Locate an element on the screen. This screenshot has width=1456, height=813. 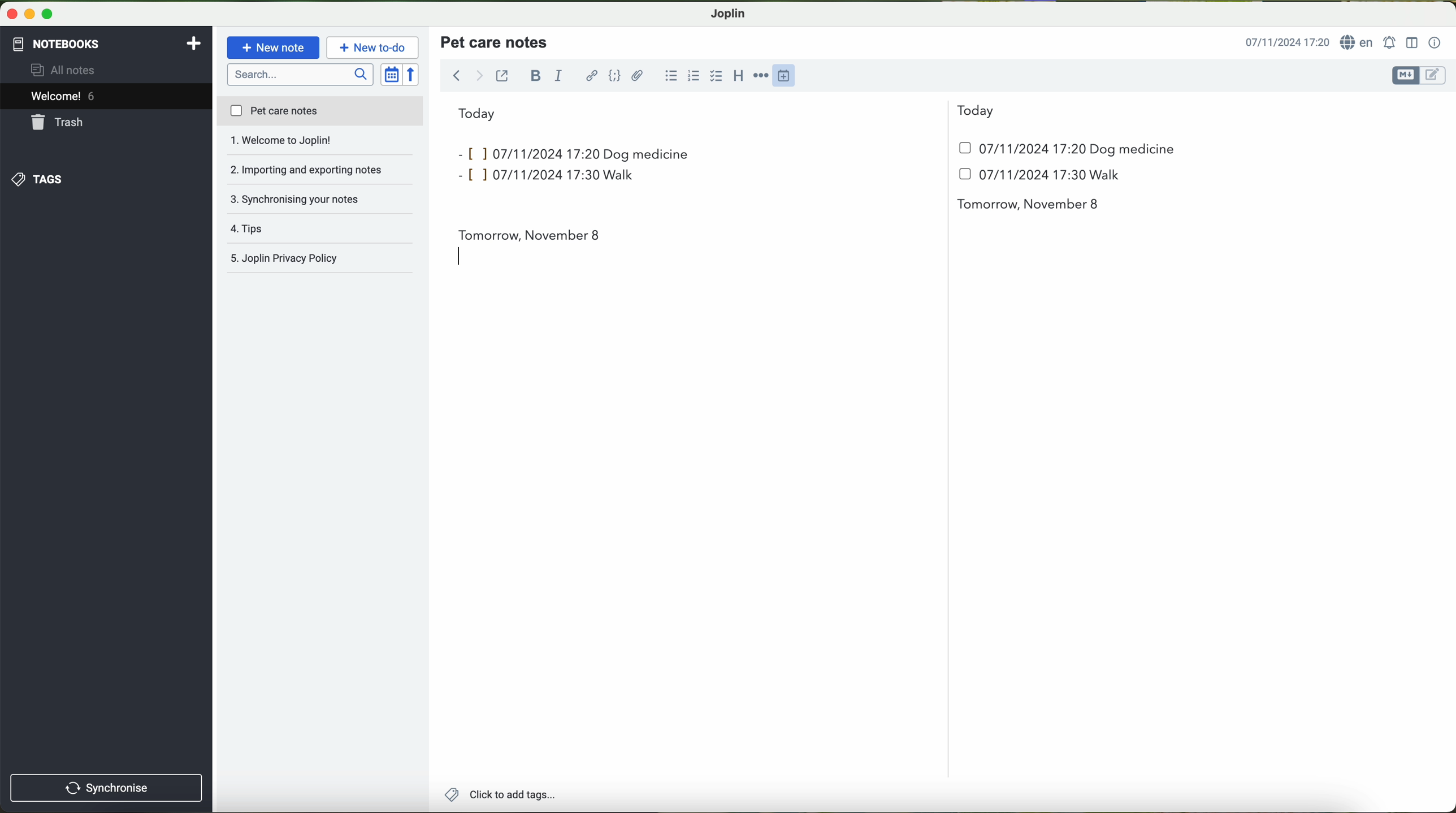
code is located at coordinates (614, 75).